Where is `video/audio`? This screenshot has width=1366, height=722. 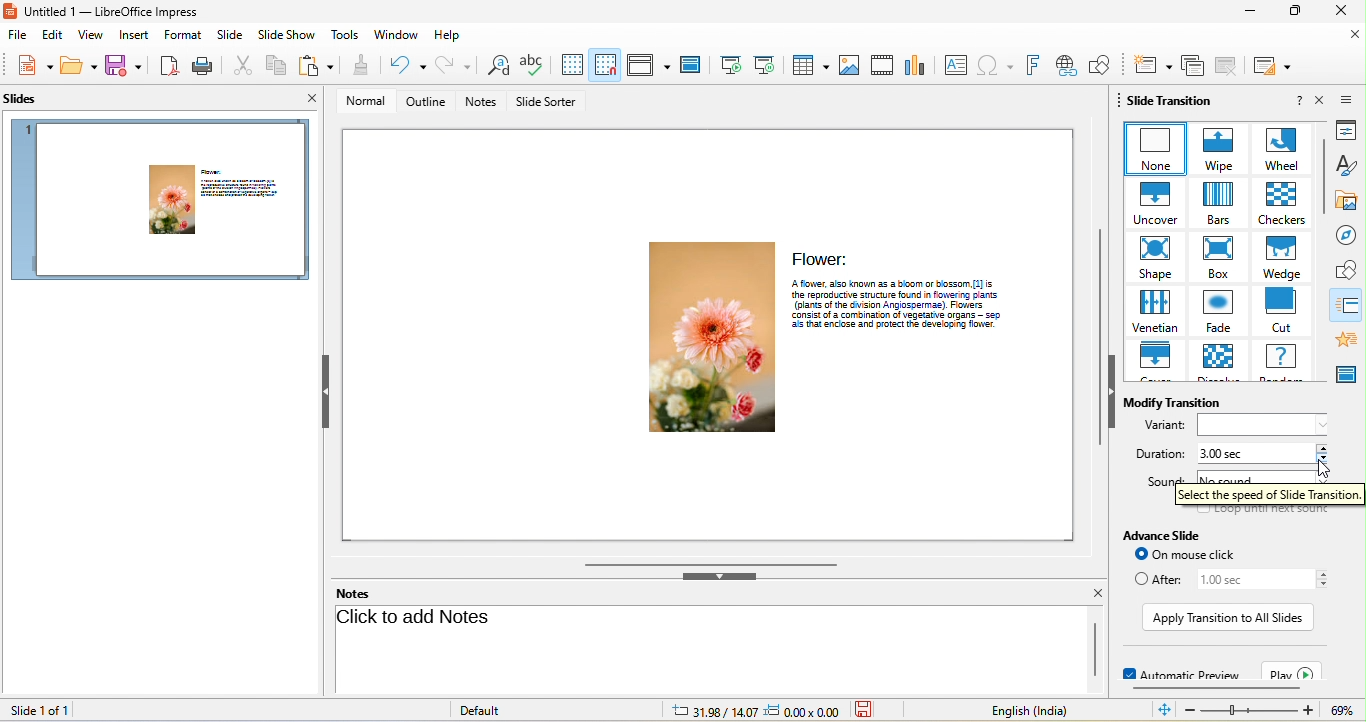 video/audio is located at coordinates (882, 65).